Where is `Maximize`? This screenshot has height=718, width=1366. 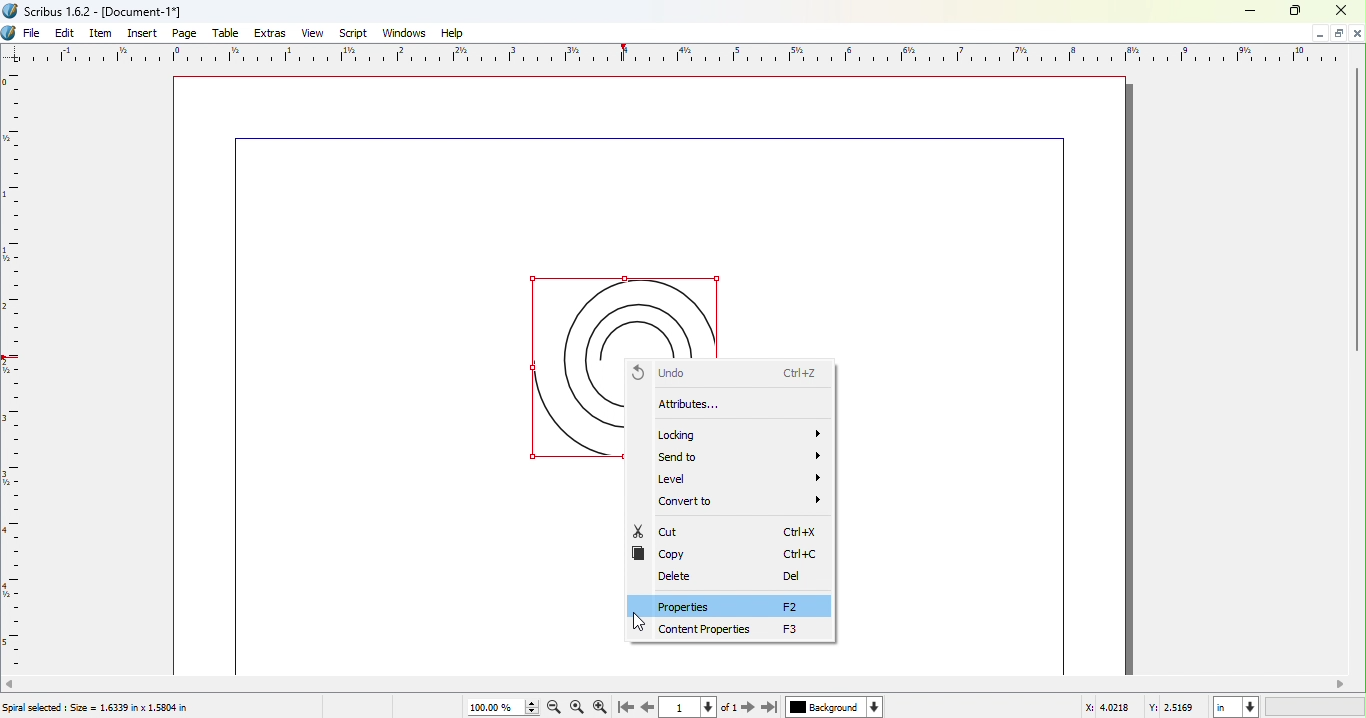
Maximize is located at coordinates (1296, 11).